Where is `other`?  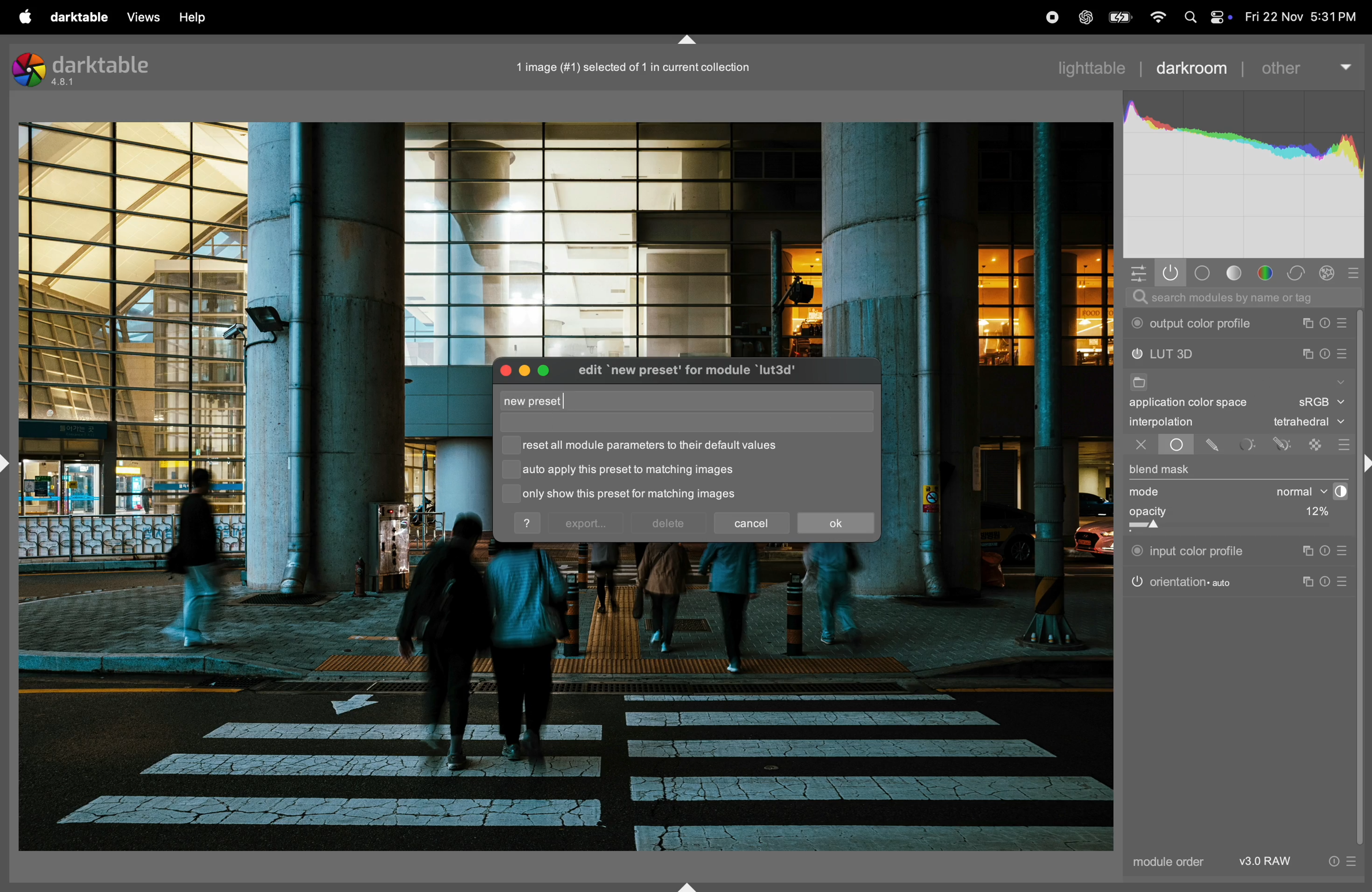
other is located at coordinates (1305, 63).